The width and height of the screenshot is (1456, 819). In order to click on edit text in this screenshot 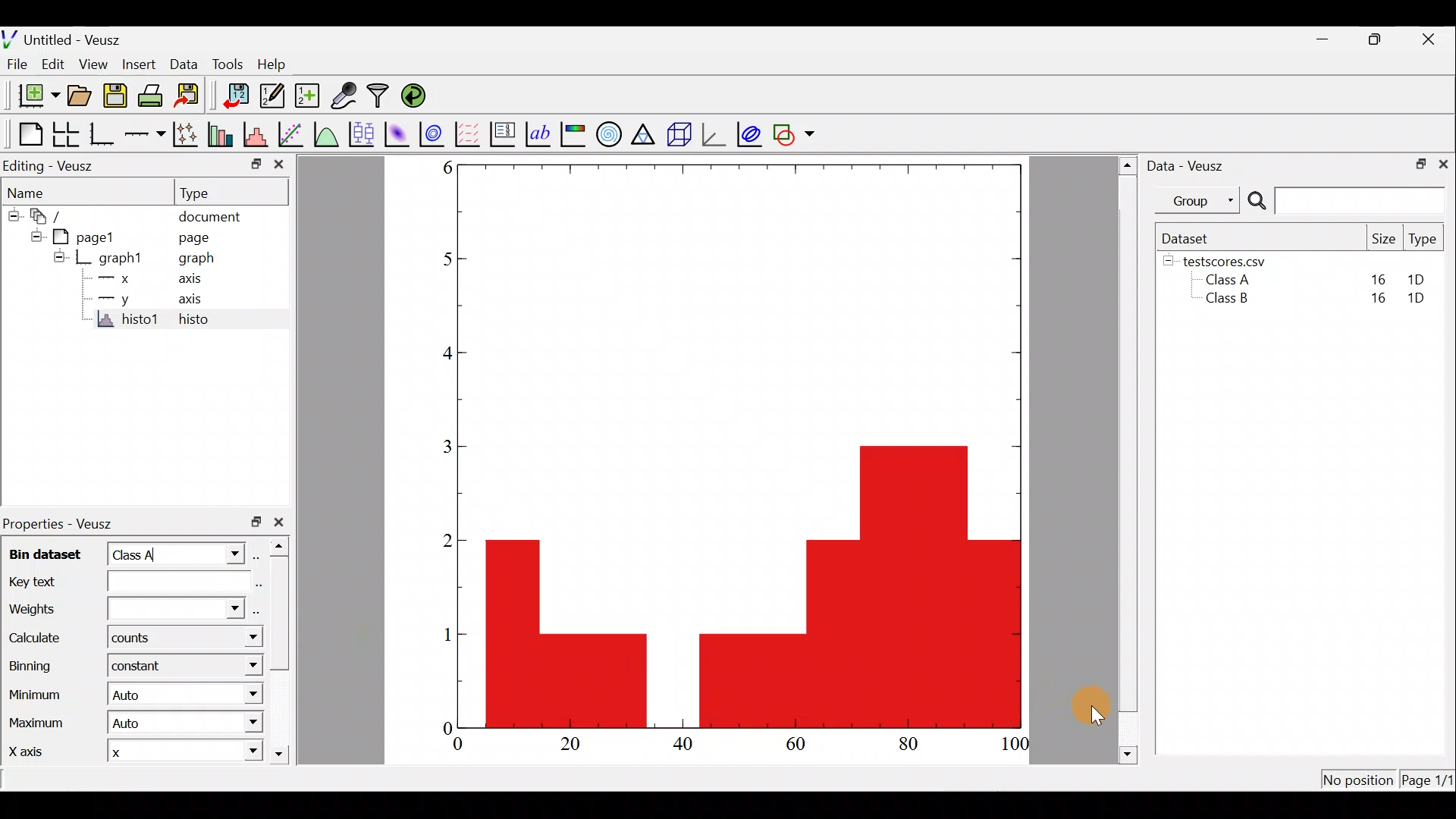, I will do `click(259, 585)`.